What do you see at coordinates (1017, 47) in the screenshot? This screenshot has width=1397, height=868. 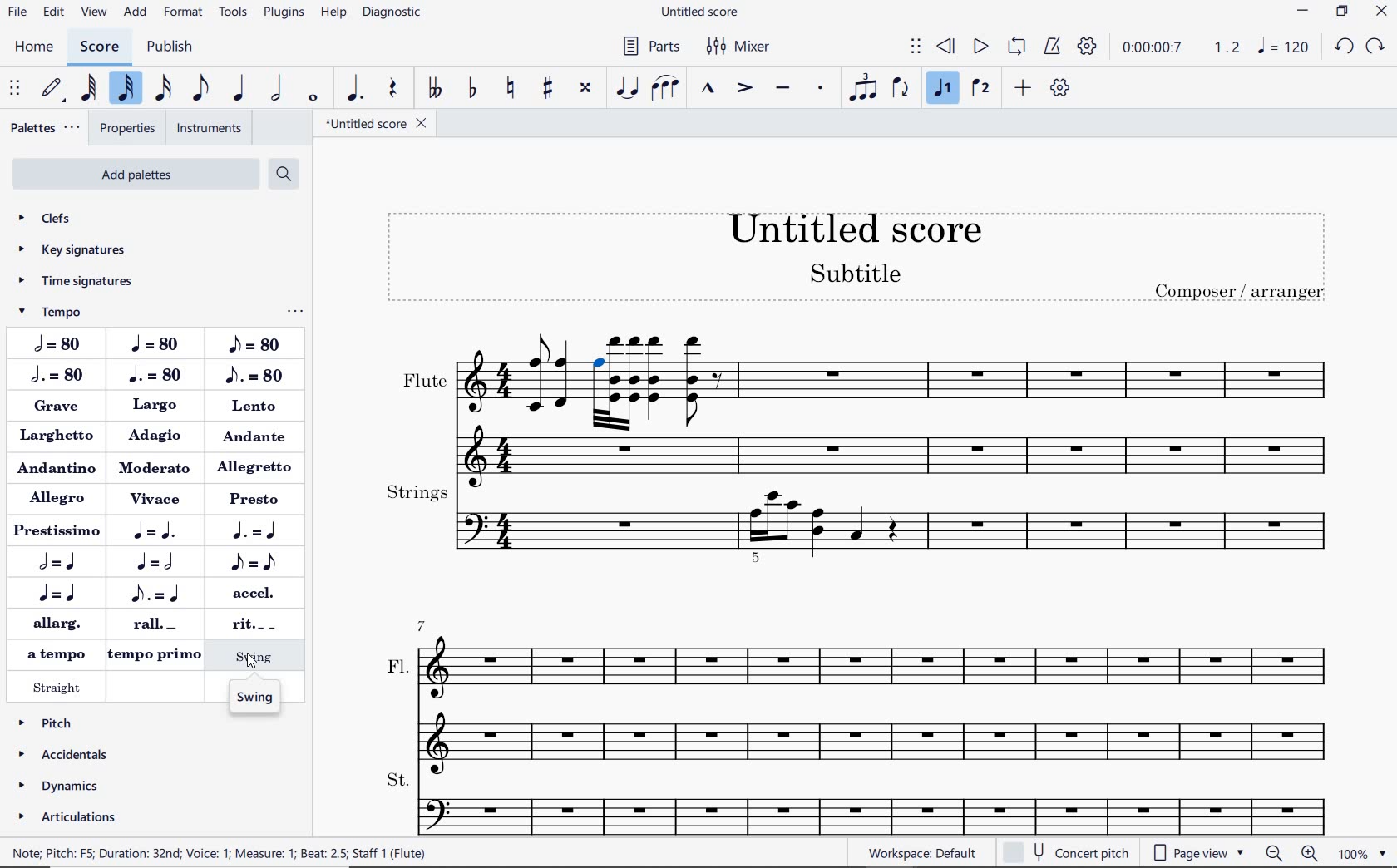 I see `LOOP PLAYBACK` at bounding box center [1017, 47].